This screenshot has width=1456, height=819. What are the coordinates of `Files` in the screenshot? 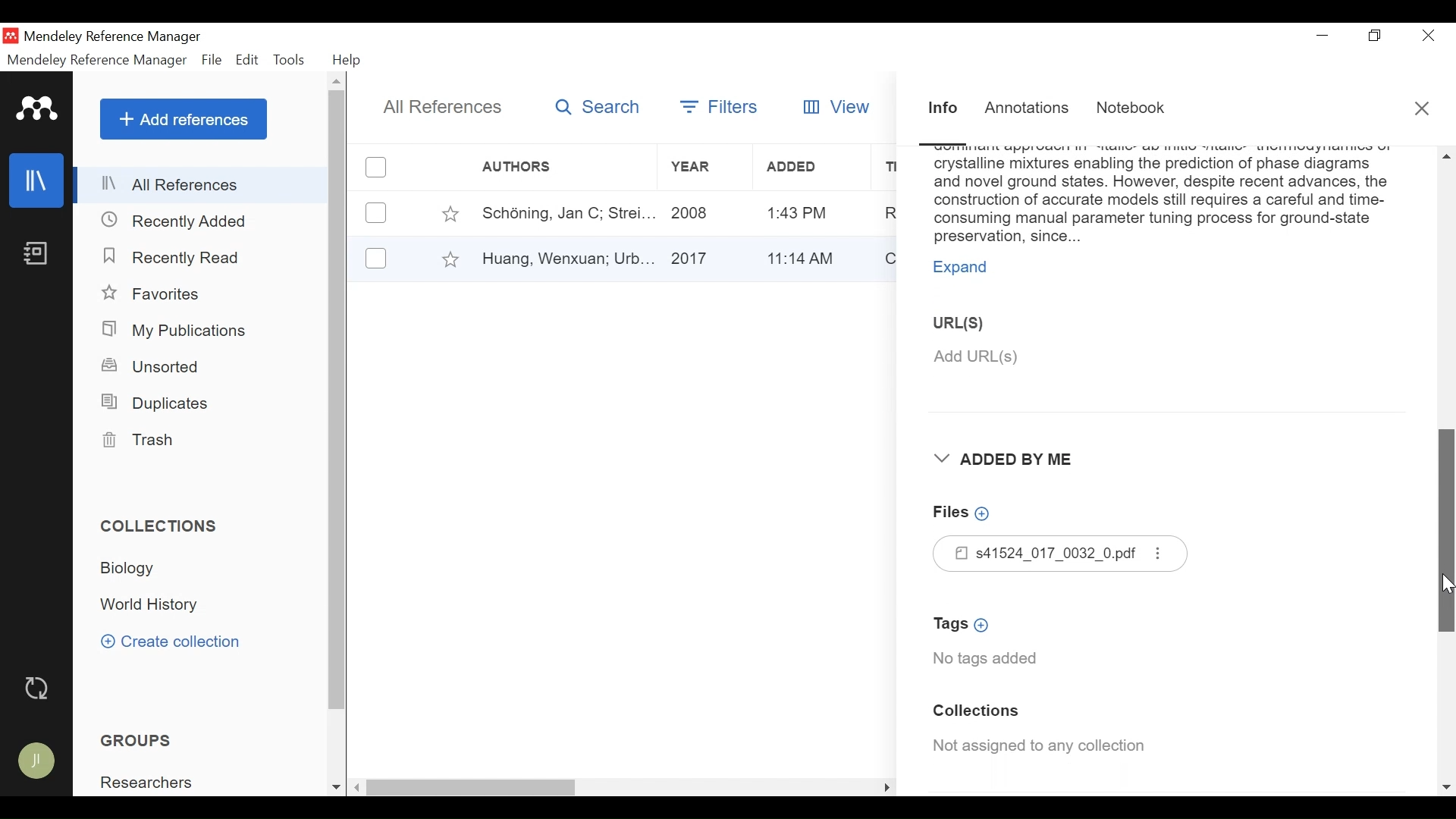 It's located at (1062, 554).